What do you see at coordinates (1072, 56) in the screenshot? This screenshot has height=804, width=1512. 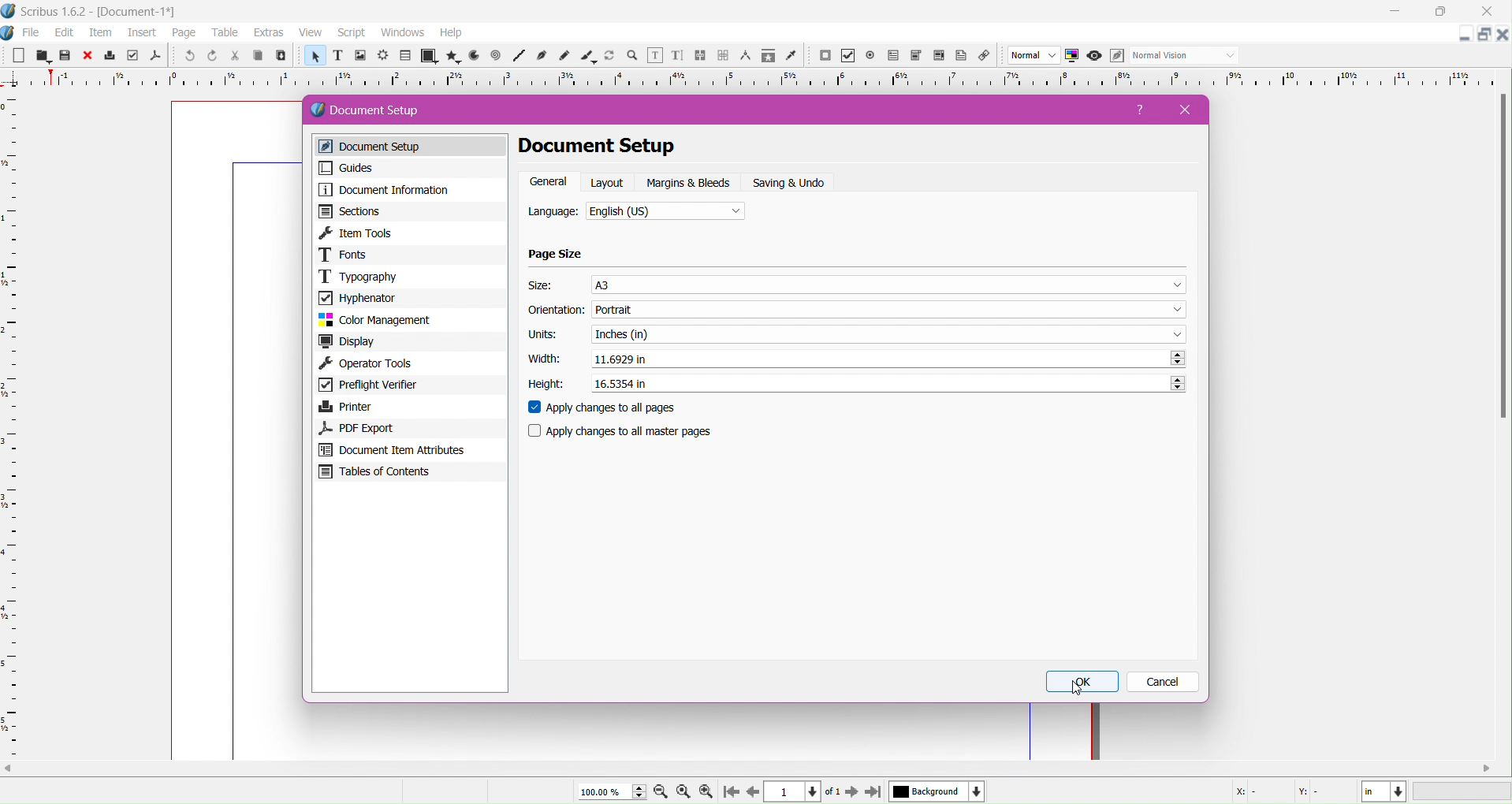 I see `color management system` at bounding box center [1072, 56].